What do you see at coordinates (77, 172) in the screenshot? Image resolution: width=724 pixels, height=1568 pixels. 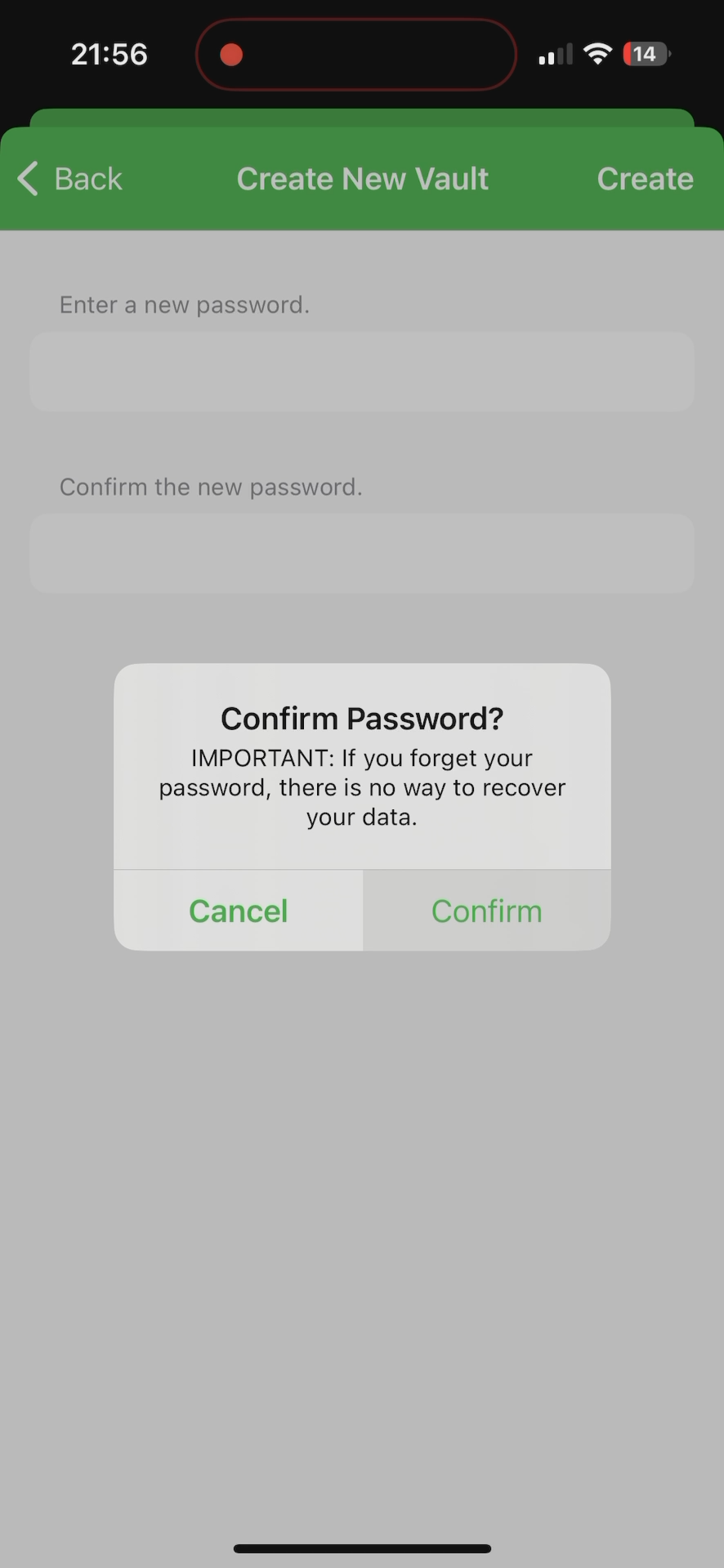 I see `back` at bounding box center [77, 172].